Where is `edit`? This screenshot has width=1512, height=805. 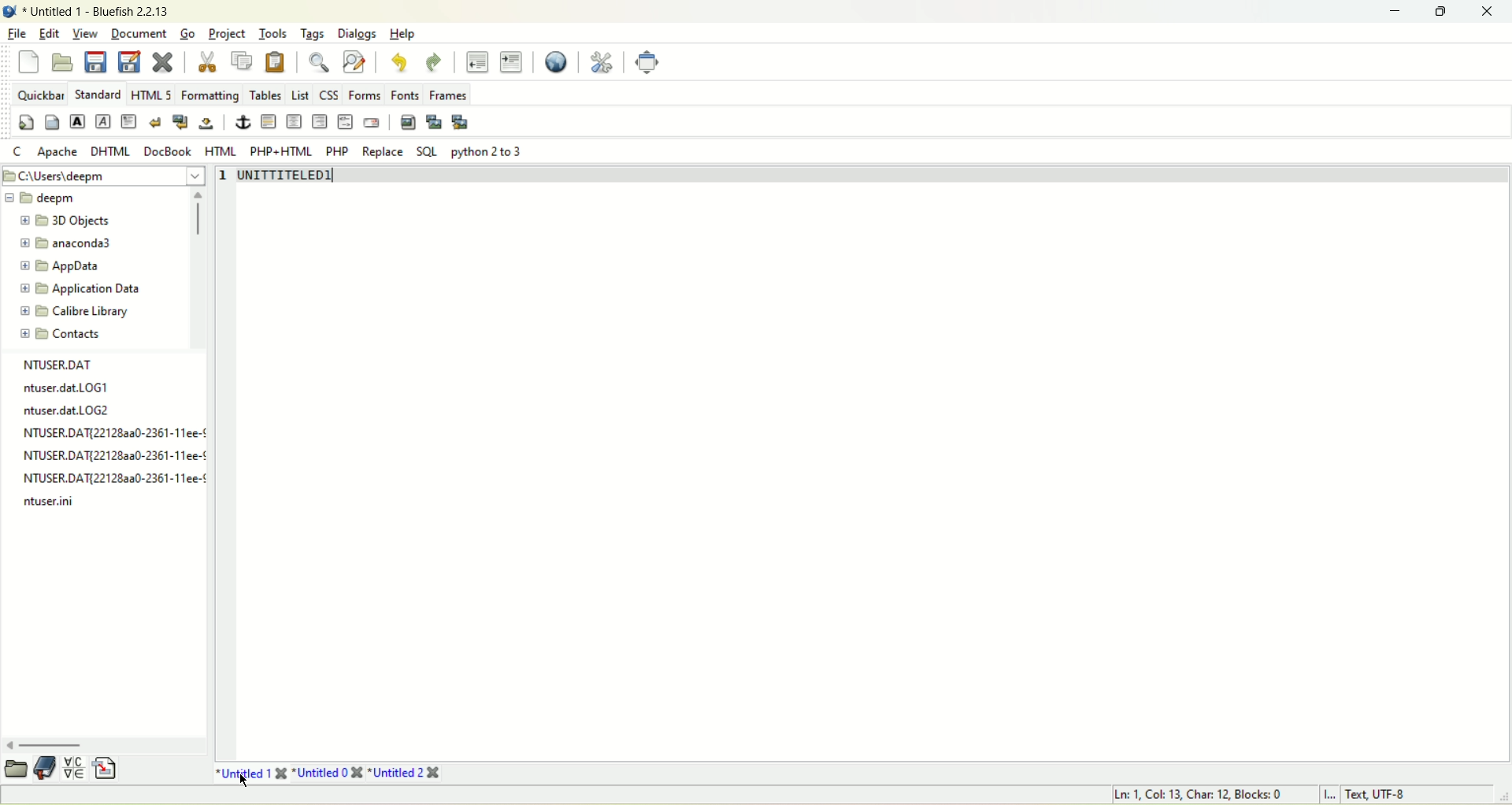 edit is located at coordinates (48, 33).